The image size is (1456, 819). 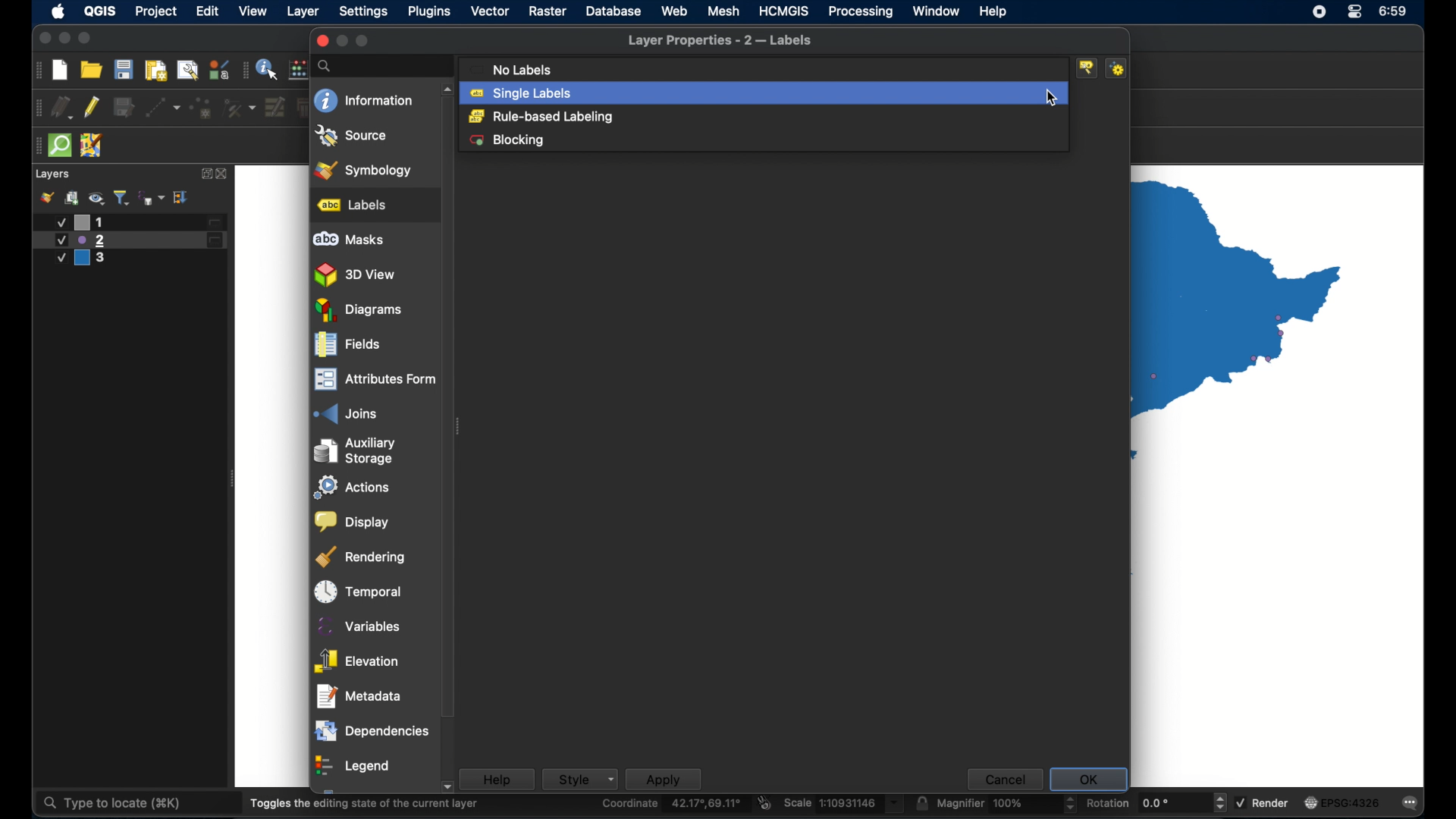 I want to click on search bar, so click(x=381, y=66).